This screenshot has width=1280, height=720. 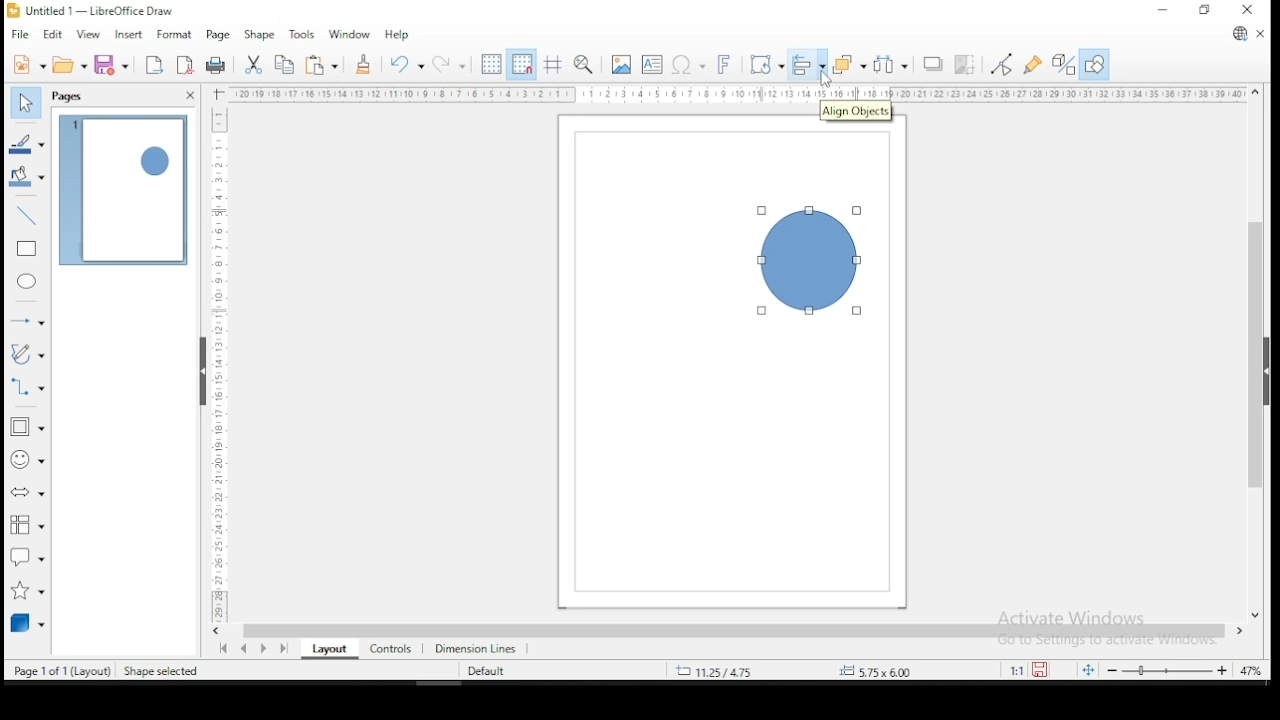 I want to click on window, so click(x=349, y=33).